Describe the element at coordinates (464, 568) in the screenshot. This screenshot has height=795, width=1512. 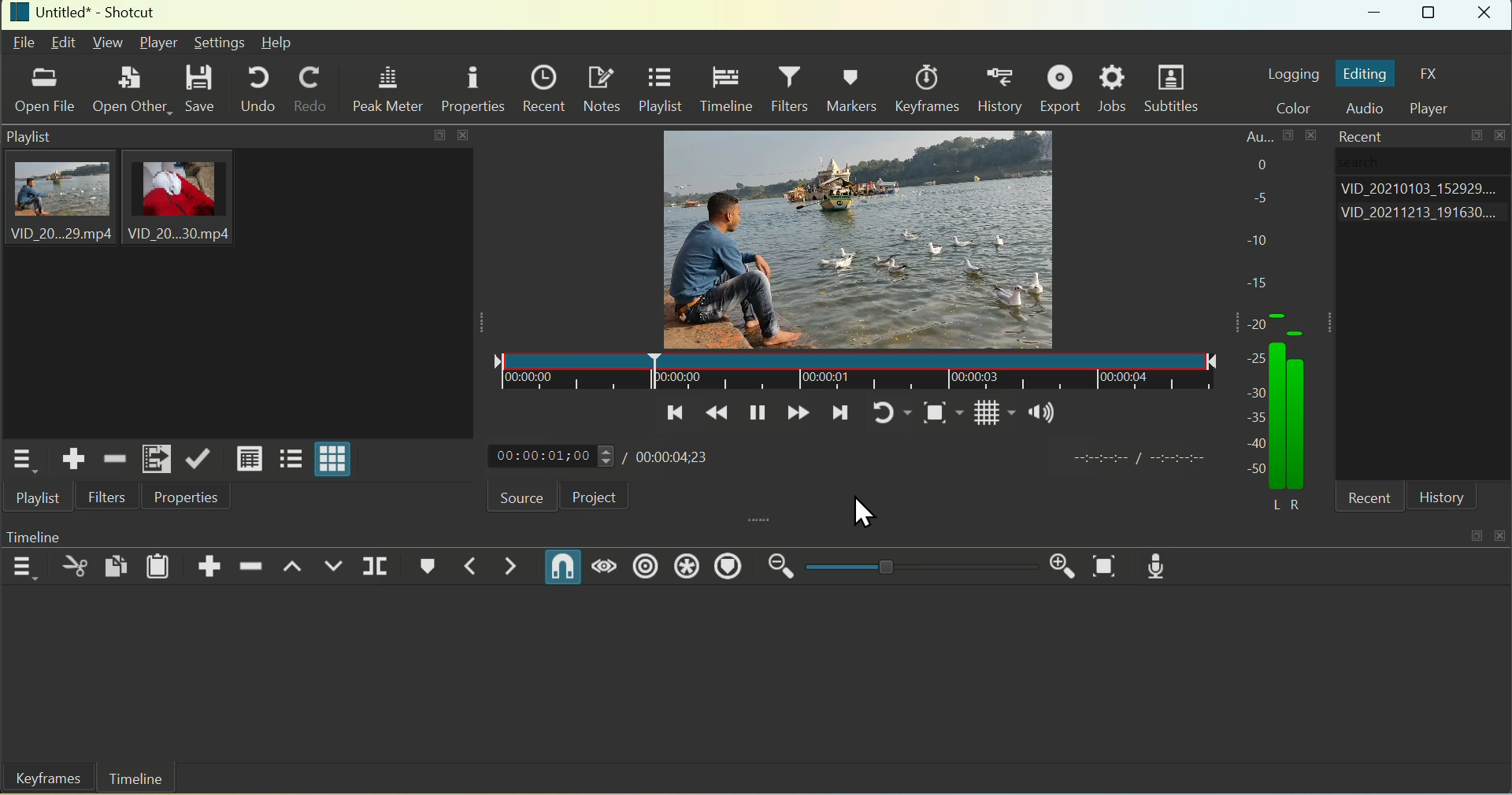
I see `Previos Marker` at that location.